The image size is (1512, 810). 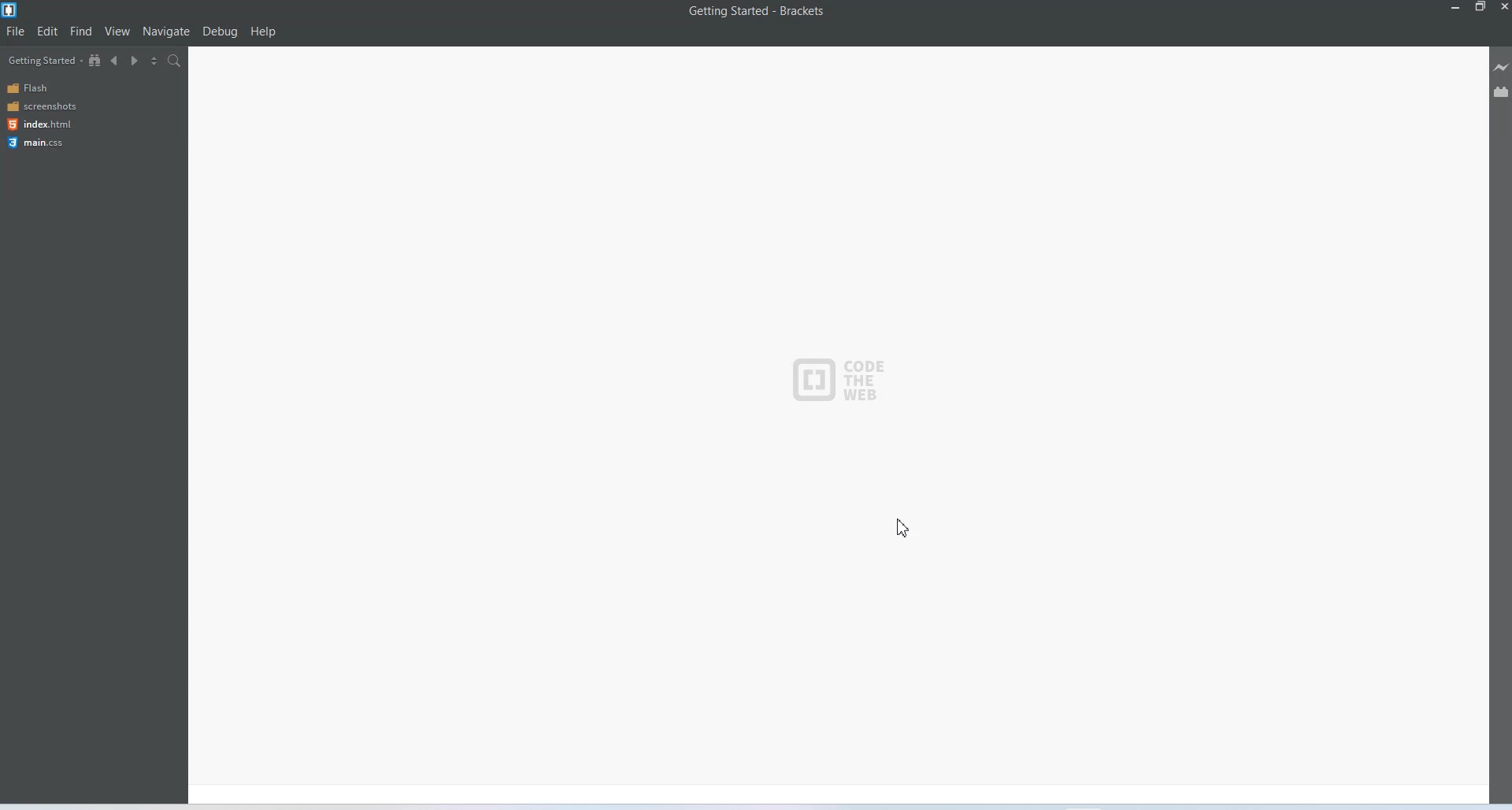 What do you see at coordinates (43, 60) in the screenshot?
I see `Getting started` at bounding box center [43, 60].